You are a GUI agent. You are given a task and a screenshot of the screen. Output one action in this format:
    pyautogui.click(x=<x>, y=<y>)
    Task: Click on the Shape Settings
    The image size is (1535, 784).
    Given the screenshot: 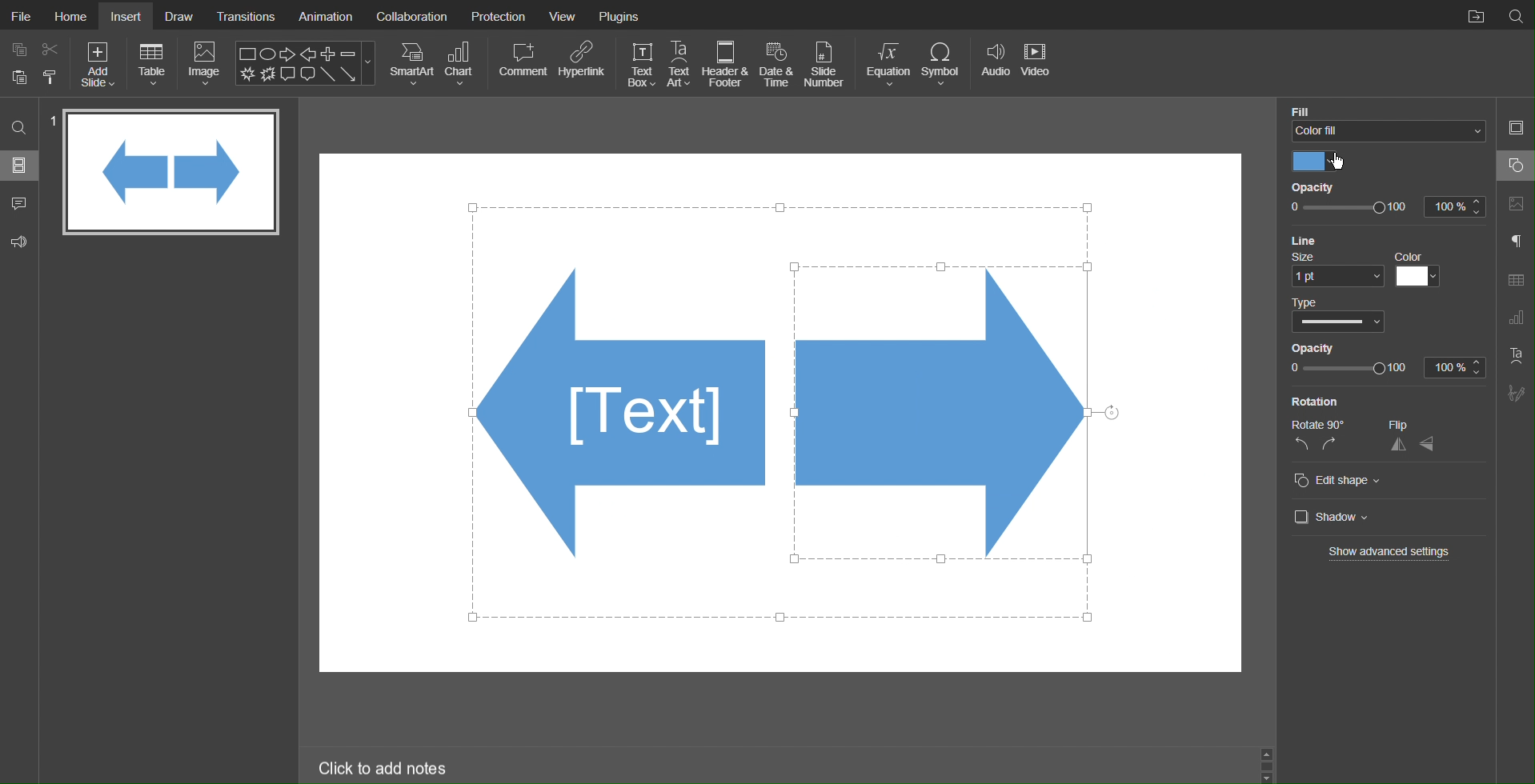 What is the action you would take?
    pyautogui.click(x=1515, y=166)
    